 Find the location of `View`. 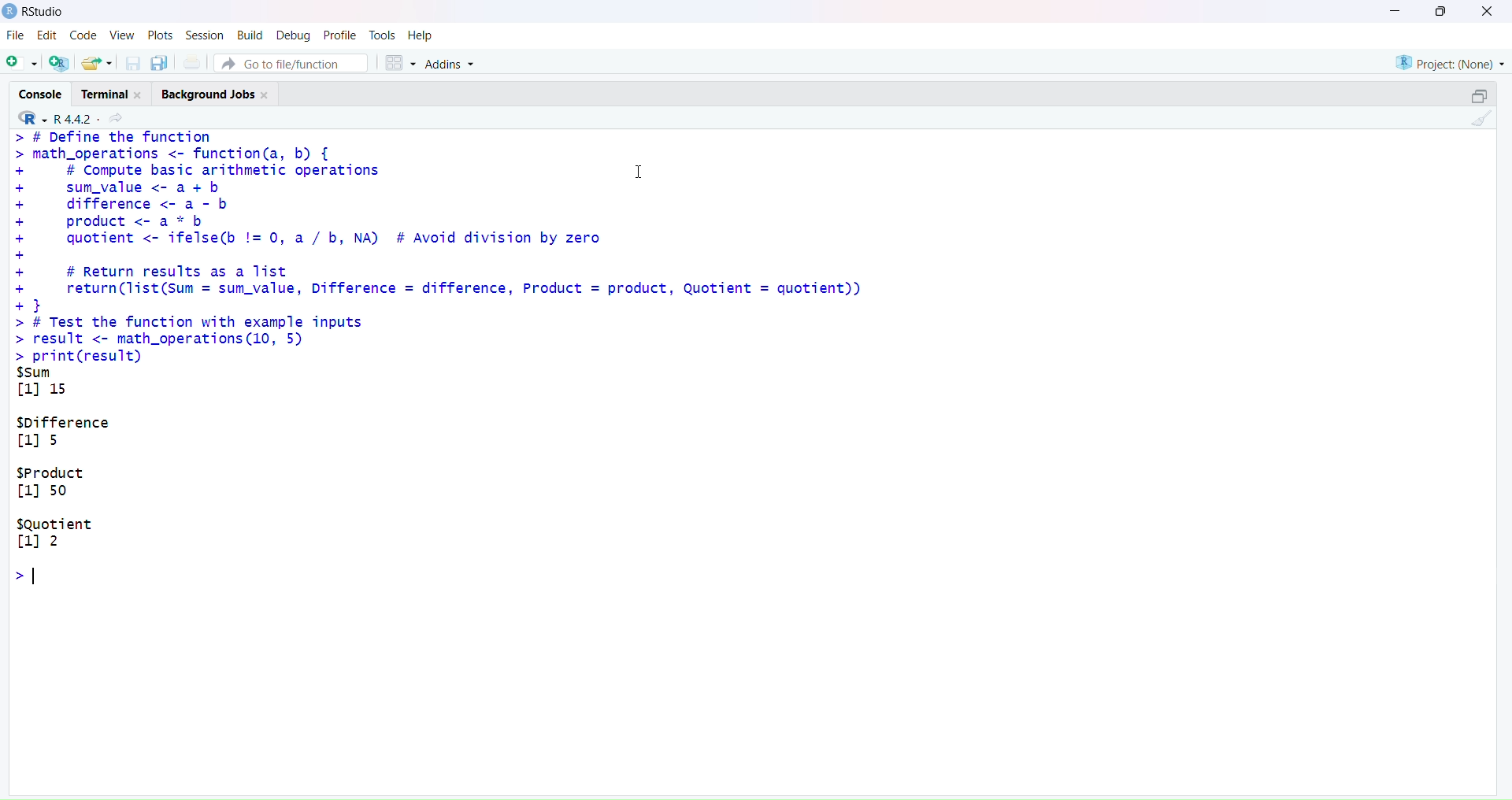

View is located at coordinates (122, 35).